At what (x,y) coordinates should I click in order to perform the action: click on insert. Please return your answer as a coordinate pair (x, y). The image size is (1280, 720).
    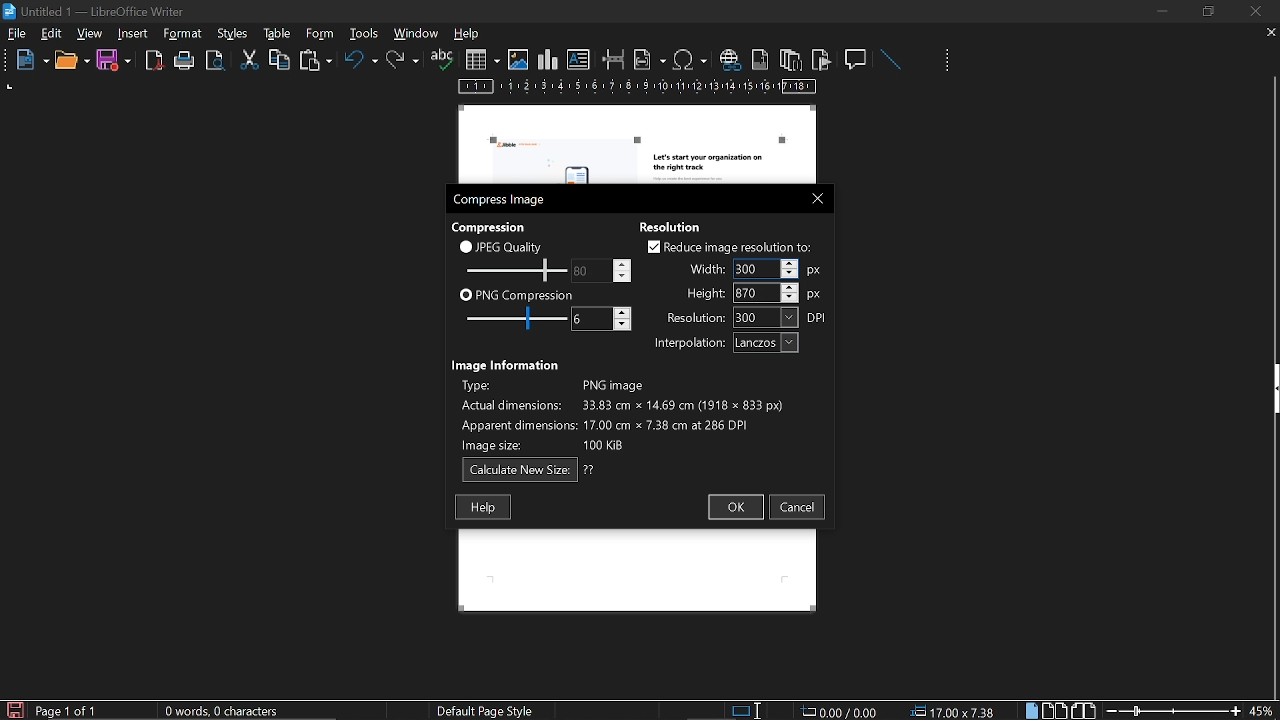
    Looking at the image, I should click on (134, 34).